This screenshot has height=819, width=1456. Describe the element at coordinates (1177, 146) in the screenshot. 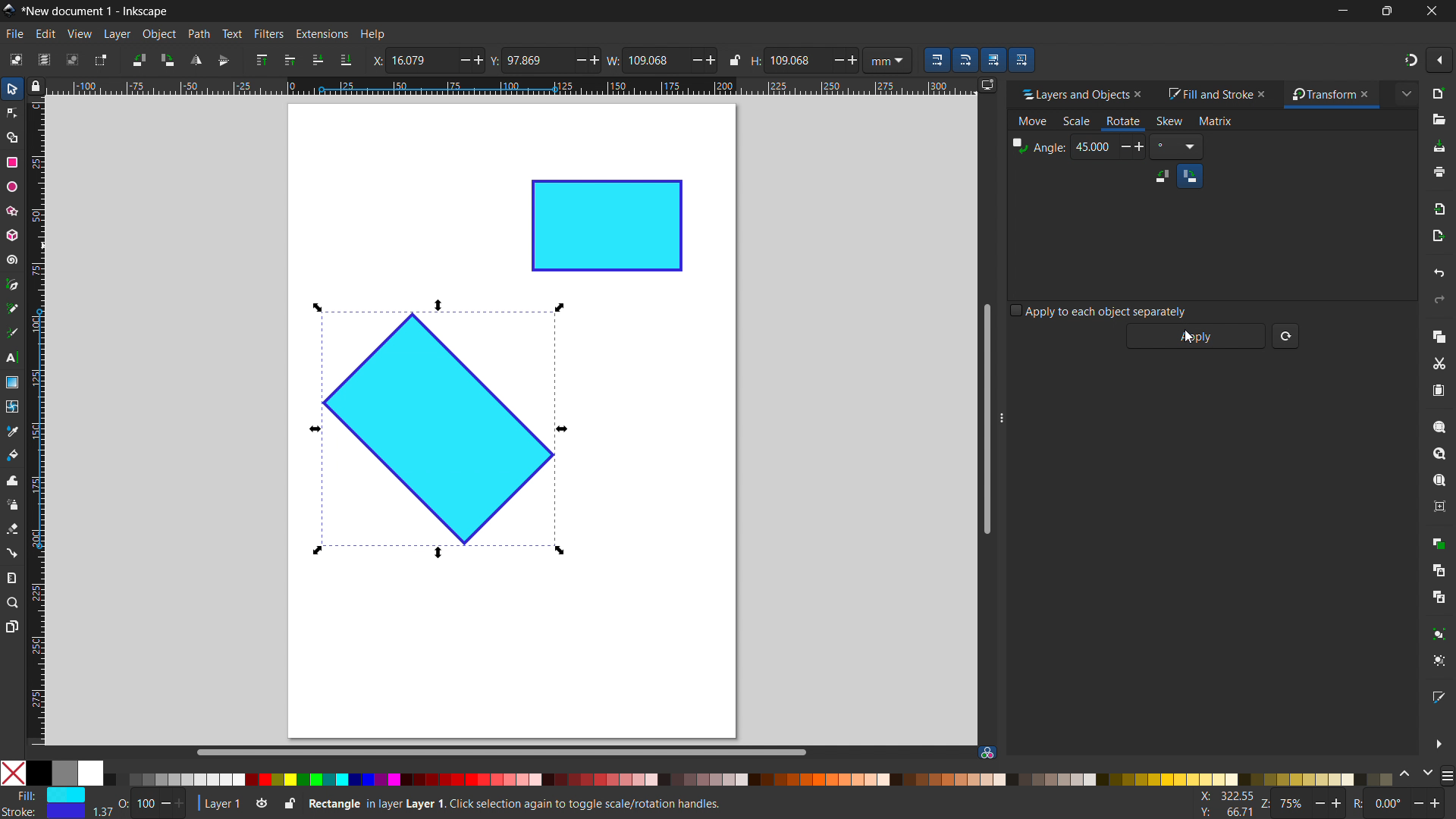

I see `Degree` at that location.